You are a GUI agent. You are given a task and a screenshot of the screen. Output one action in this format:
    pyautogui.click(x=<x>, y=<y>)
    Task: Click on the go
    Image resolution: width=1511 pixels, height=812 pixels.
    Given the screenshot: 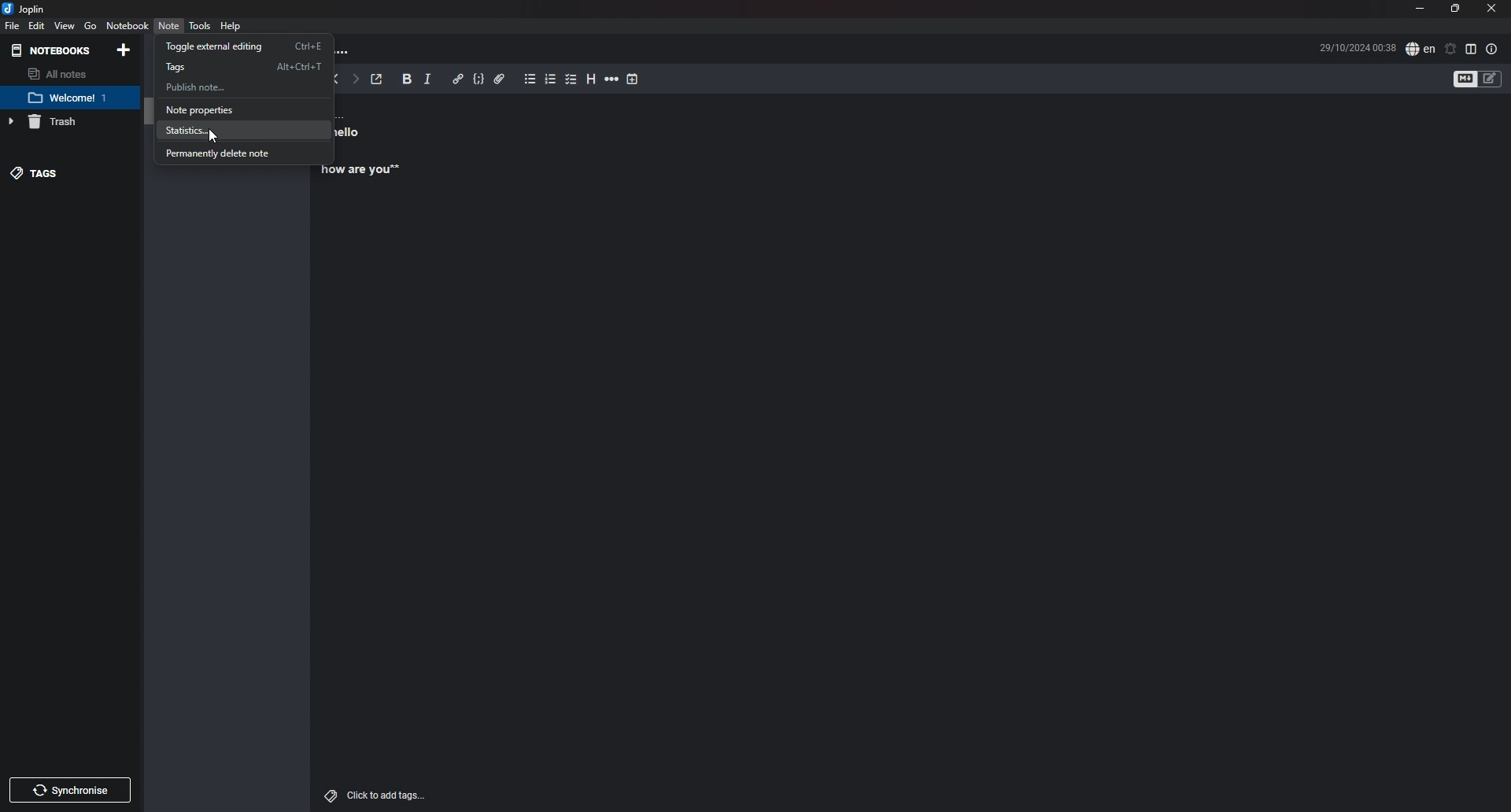 What is the action you would take?
    pyautogui.click(x=90, y=27)
    